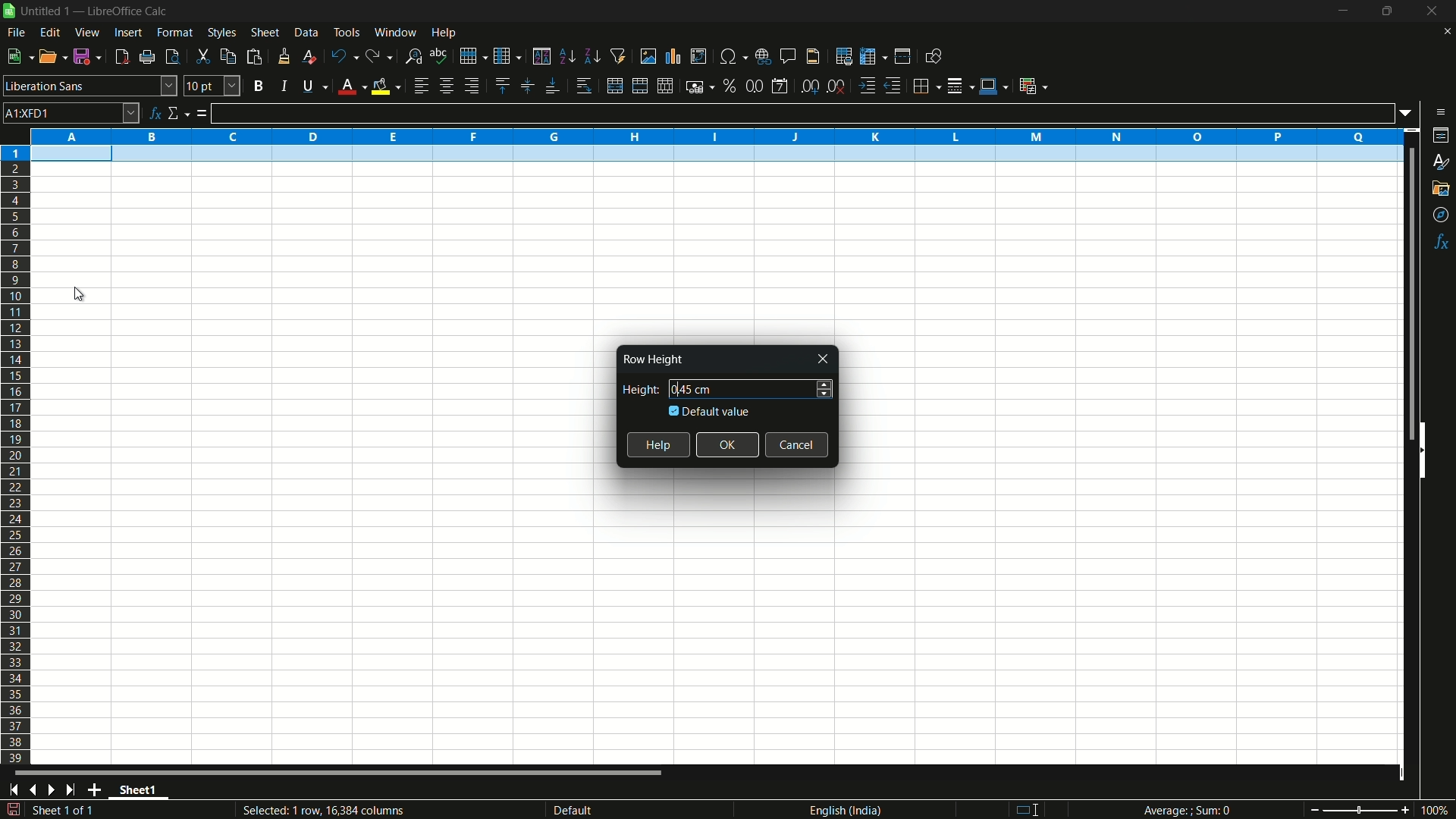  What do you see at coordinates (508, 57) in the screenshot?
I see `column` at bounding box center [508, 57].